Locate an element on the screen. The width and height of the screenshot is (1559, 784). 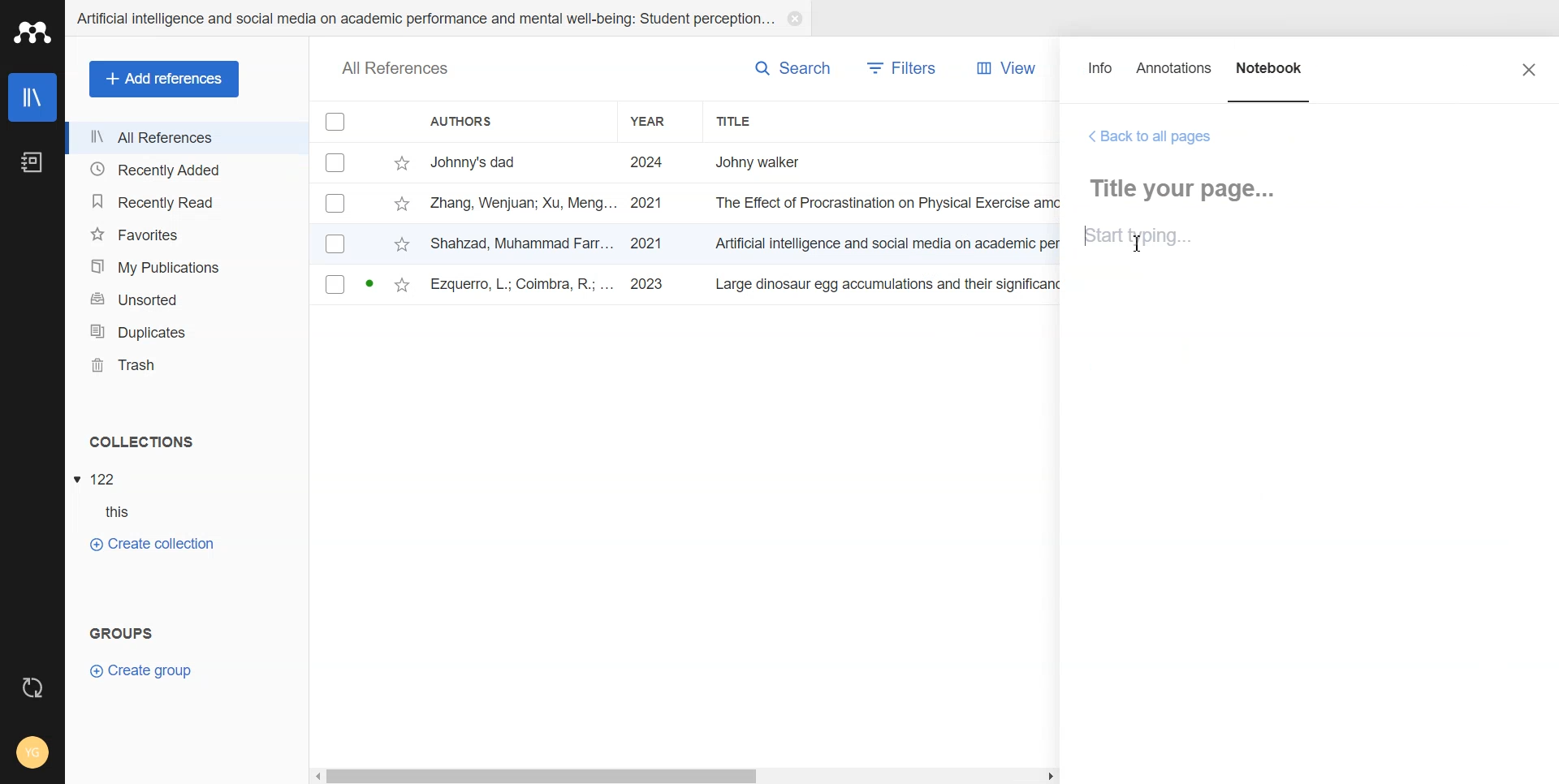
Checkbox is located at coordinates (336, 243).